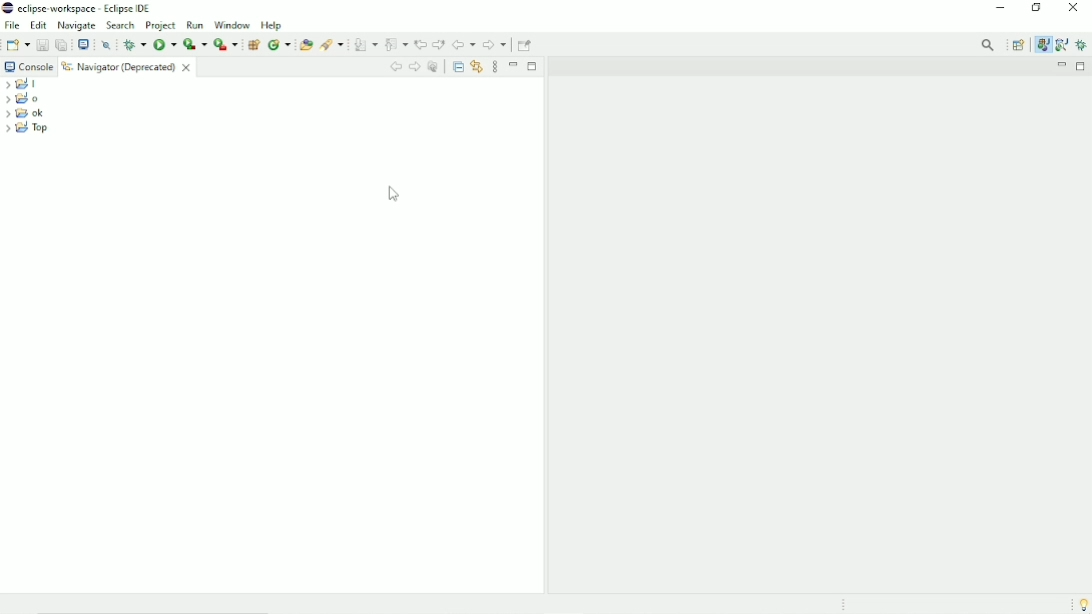  What do you see at coordinates (128, 67) in the screenshot?
I see `Navigator (Deprecated)` at bounding box center [128, 67].